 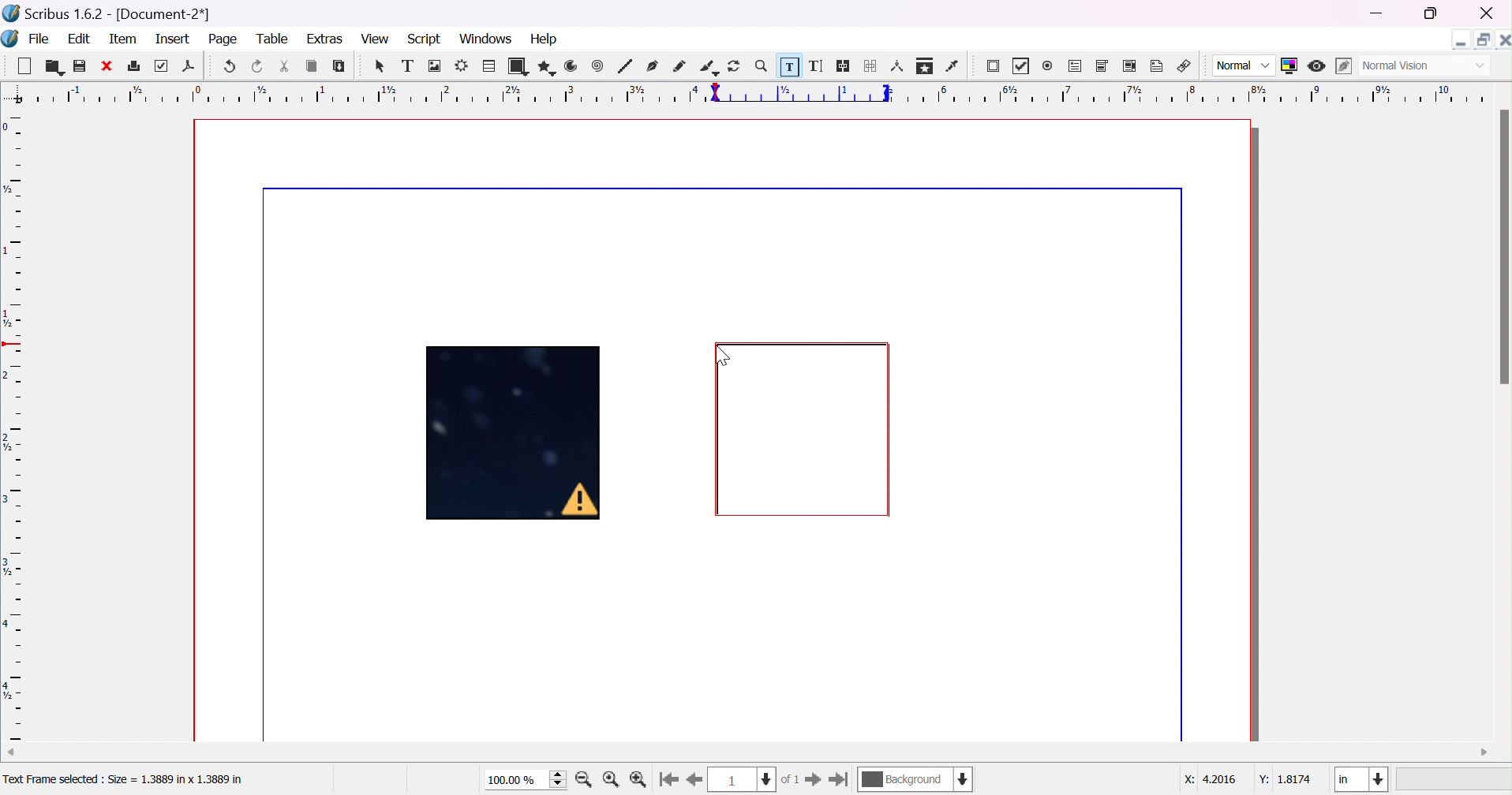 I want to click on unlink text frames, so click(x=871, y=65).